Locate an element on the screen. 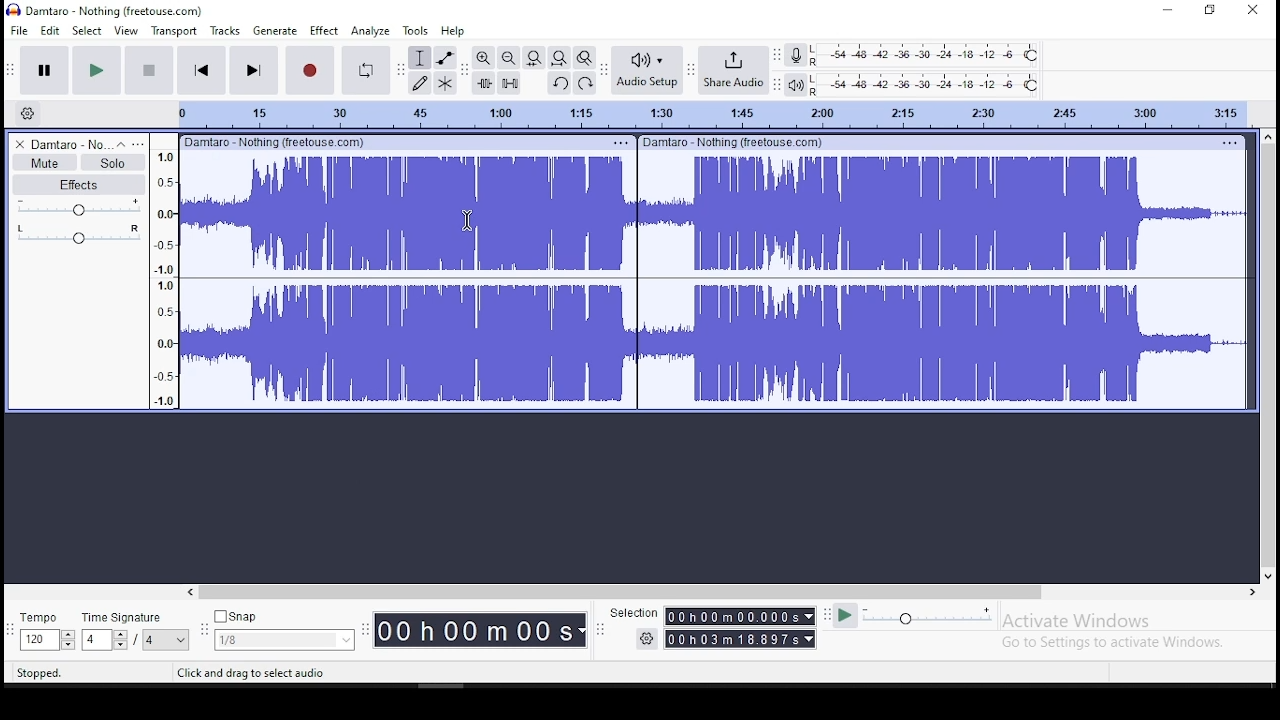  snap button is located at coordinates (236, 615).